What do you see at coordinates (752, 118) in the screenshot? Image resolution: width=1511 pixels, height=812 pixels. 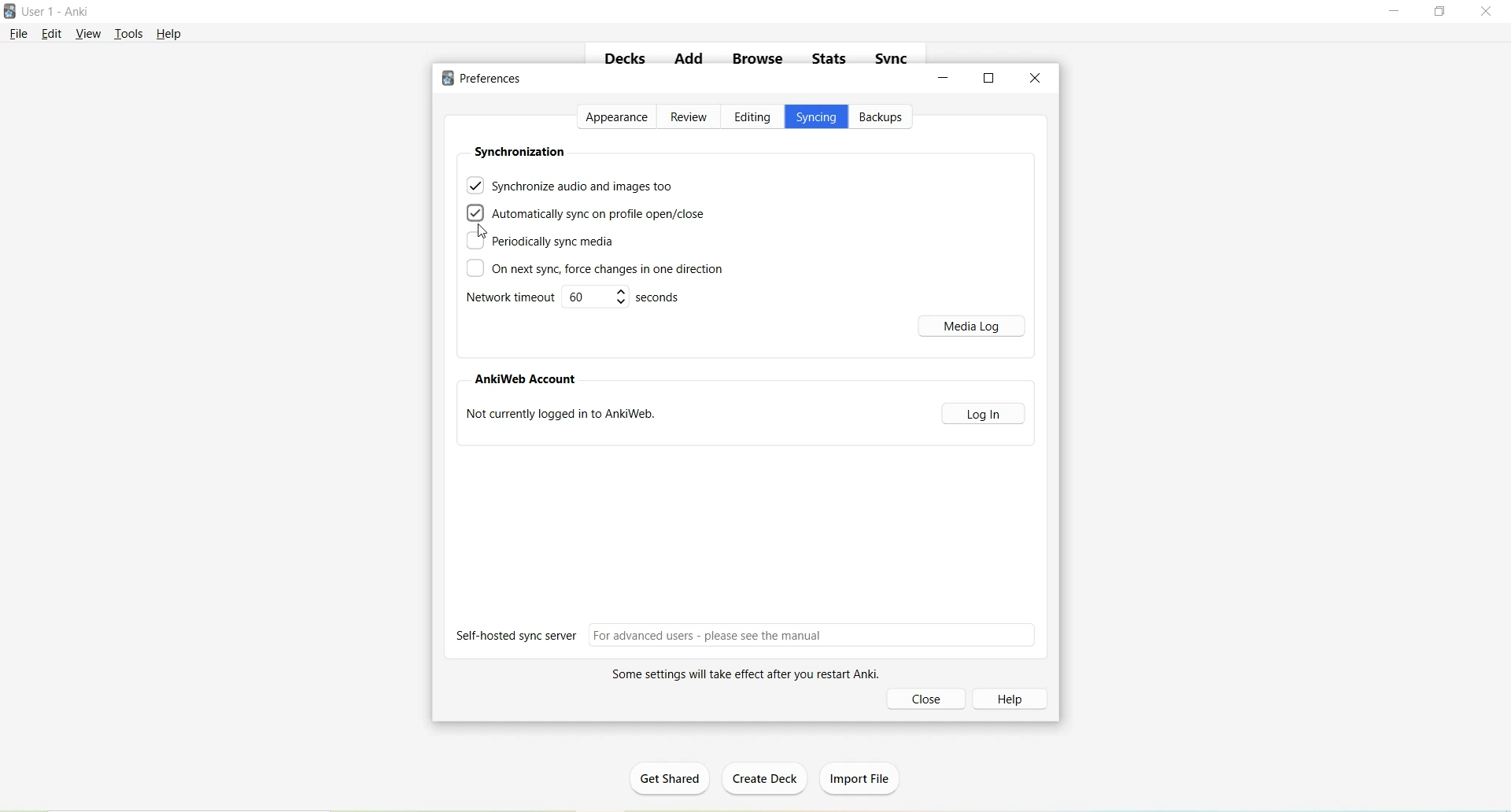 I see `Editing` at bounding box center [752, 118].